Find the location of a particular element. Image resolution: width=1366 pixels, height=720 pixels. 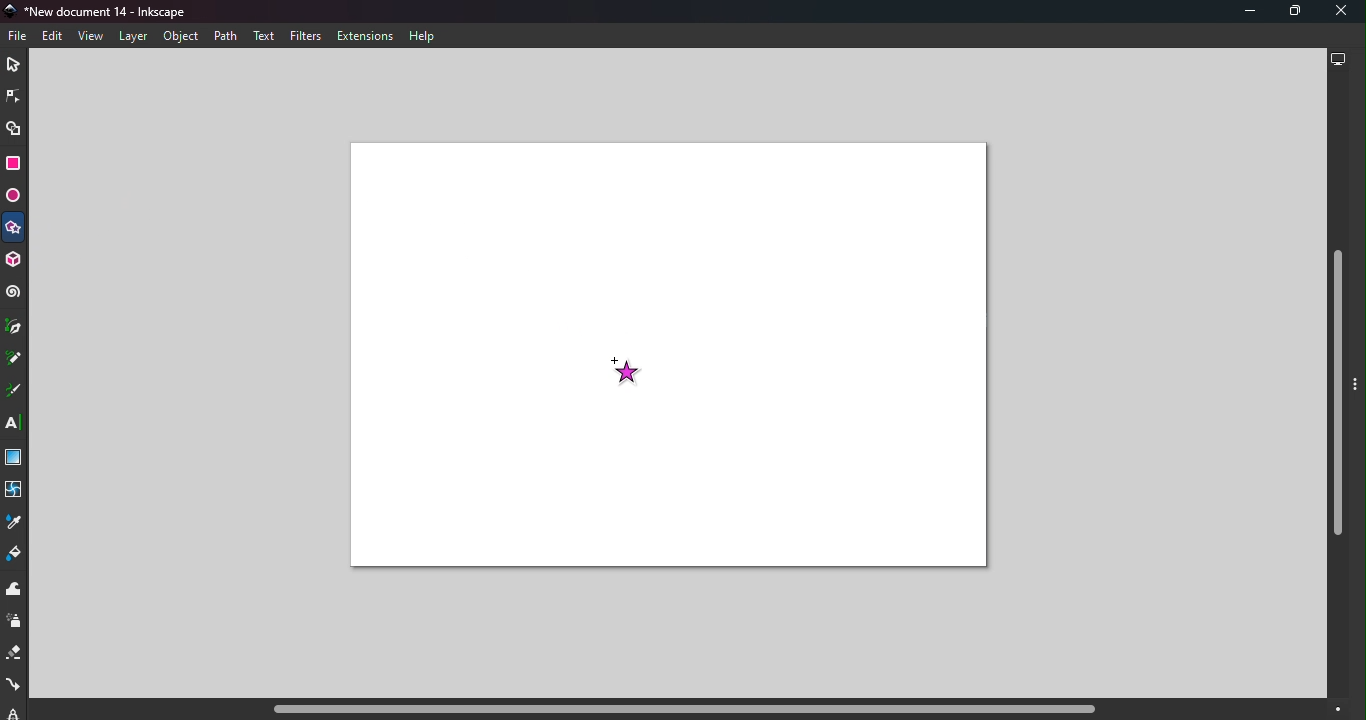

Cursor is located at coordinates (630, 374).